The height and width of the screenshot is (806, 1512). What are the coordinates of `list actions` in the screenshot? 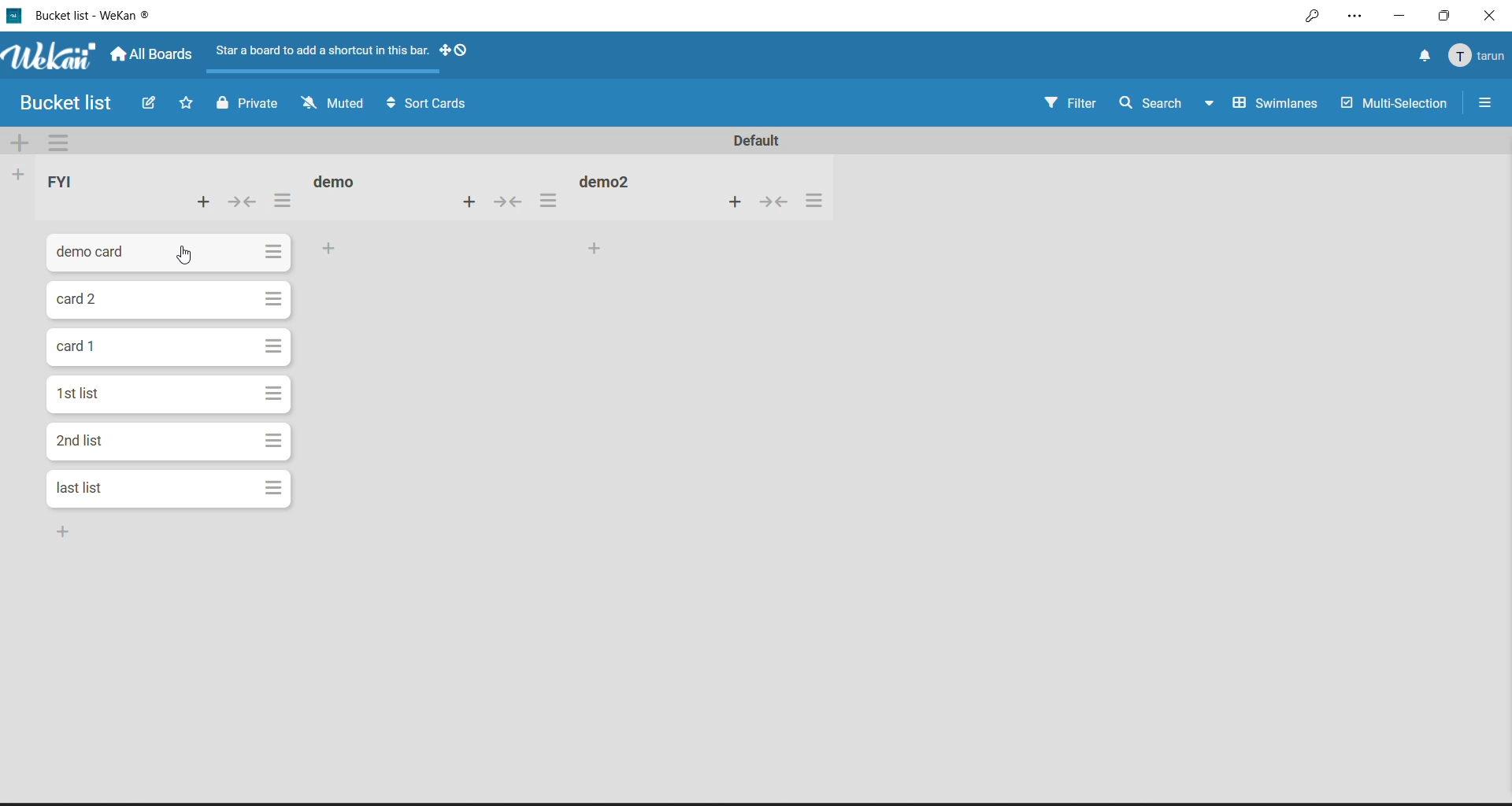 It's located at (283, 199).